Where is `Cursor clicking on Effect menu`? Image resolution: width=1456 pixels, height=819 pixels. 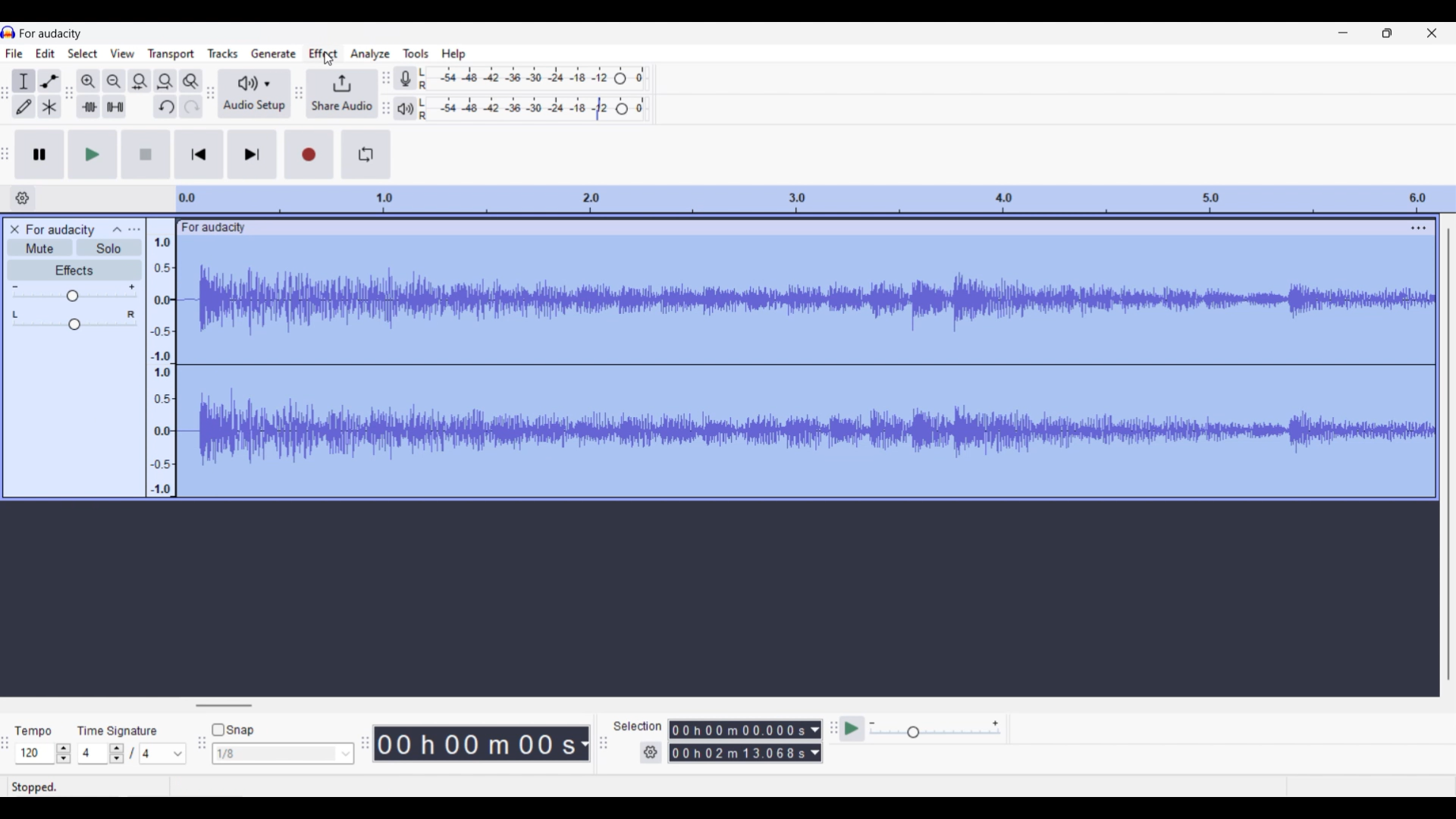 Cursor clicking on Effect menu is located at coordinates (328, 59).